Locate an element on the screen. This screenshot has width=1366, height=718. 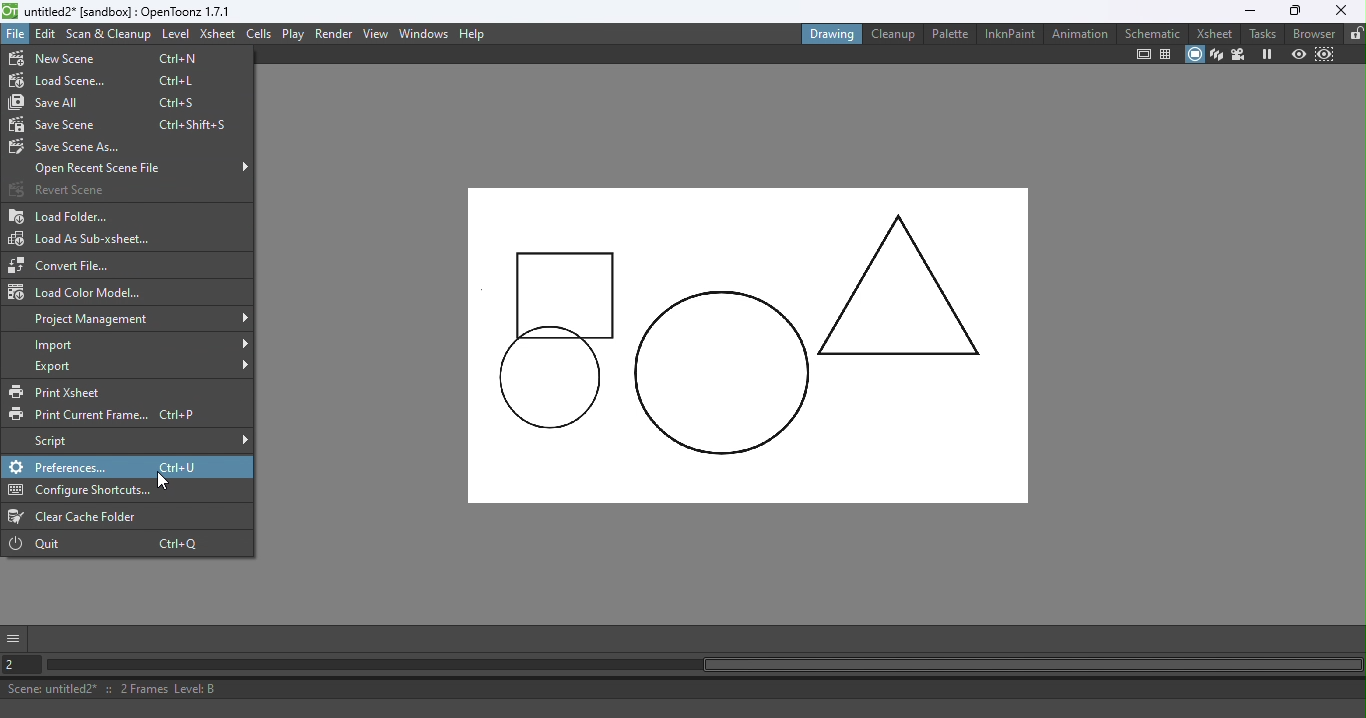
Cleanup is located at coordinates (890, 34).